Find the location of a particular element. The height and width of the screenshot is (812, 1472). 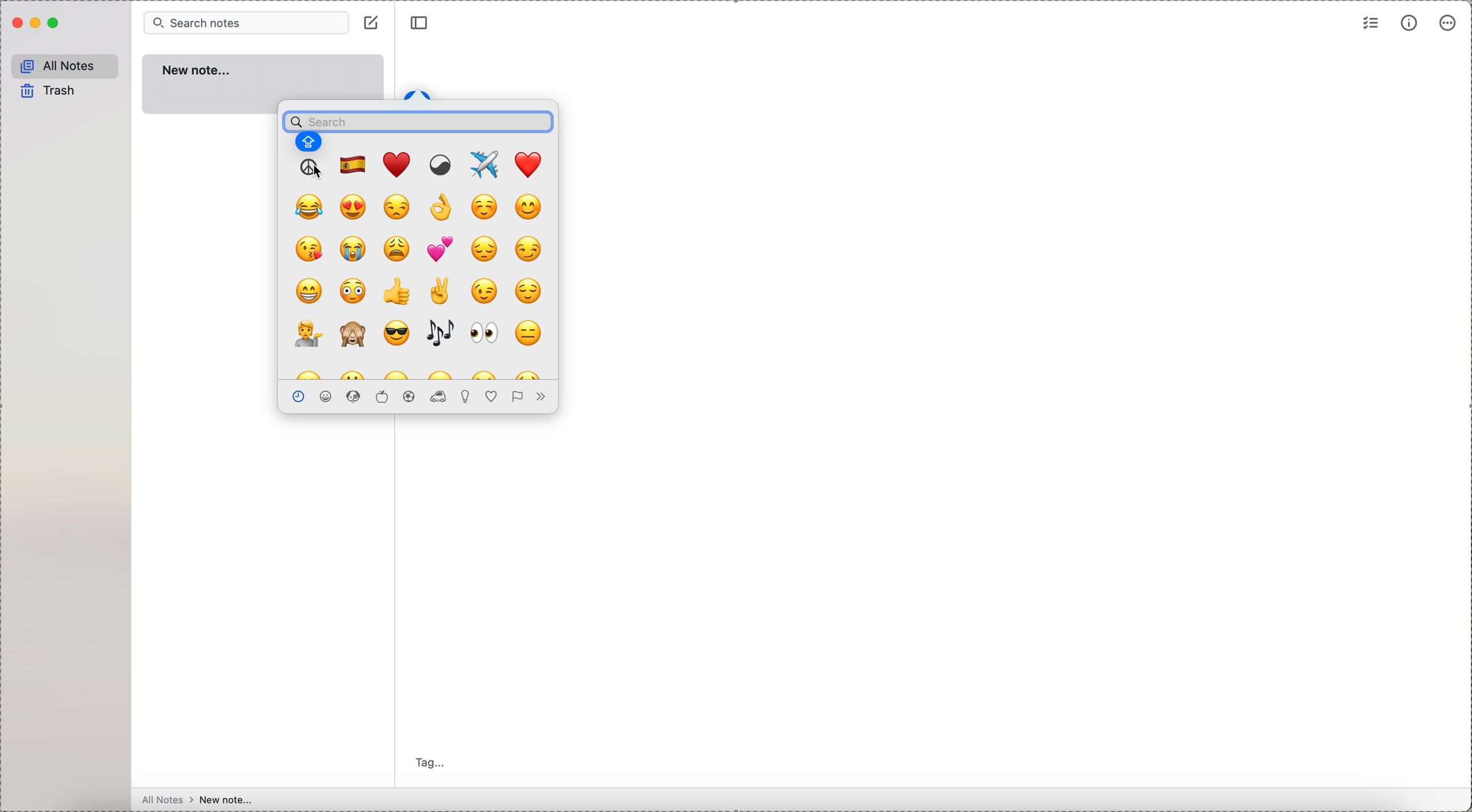

search bar is located at coordinates (418, 118).